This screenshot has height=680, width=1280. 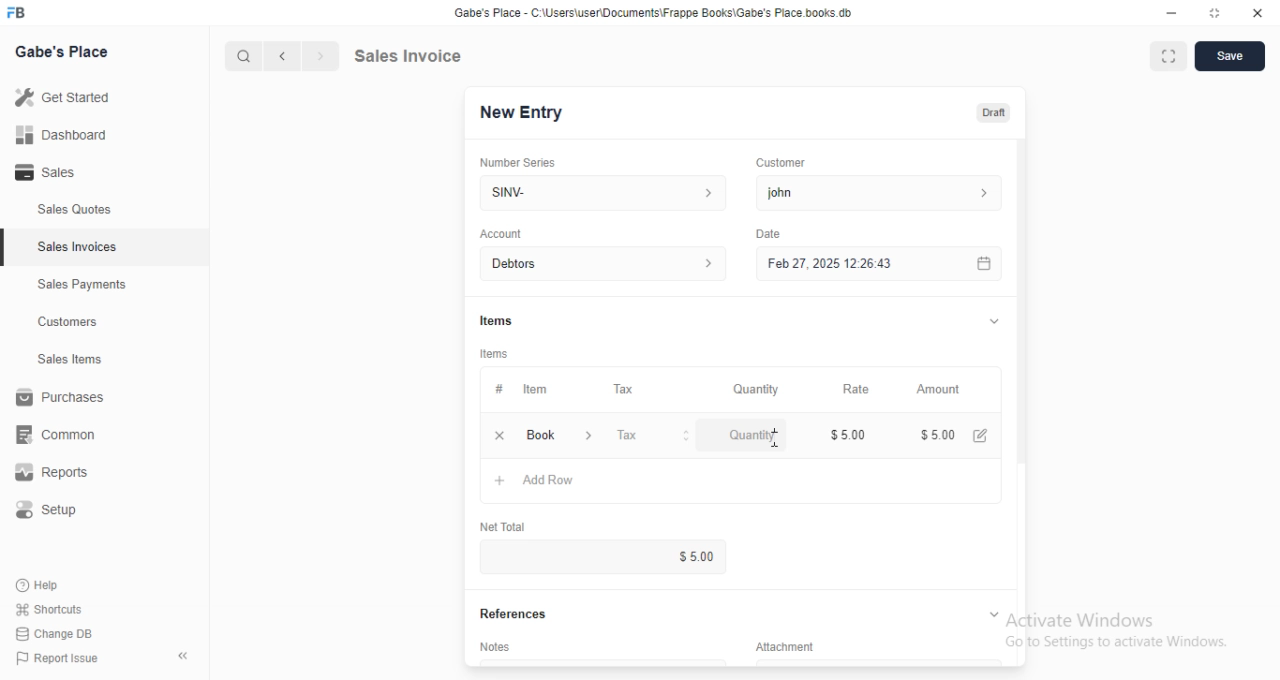 I want to click on Tax, so click(x=628, y=388).